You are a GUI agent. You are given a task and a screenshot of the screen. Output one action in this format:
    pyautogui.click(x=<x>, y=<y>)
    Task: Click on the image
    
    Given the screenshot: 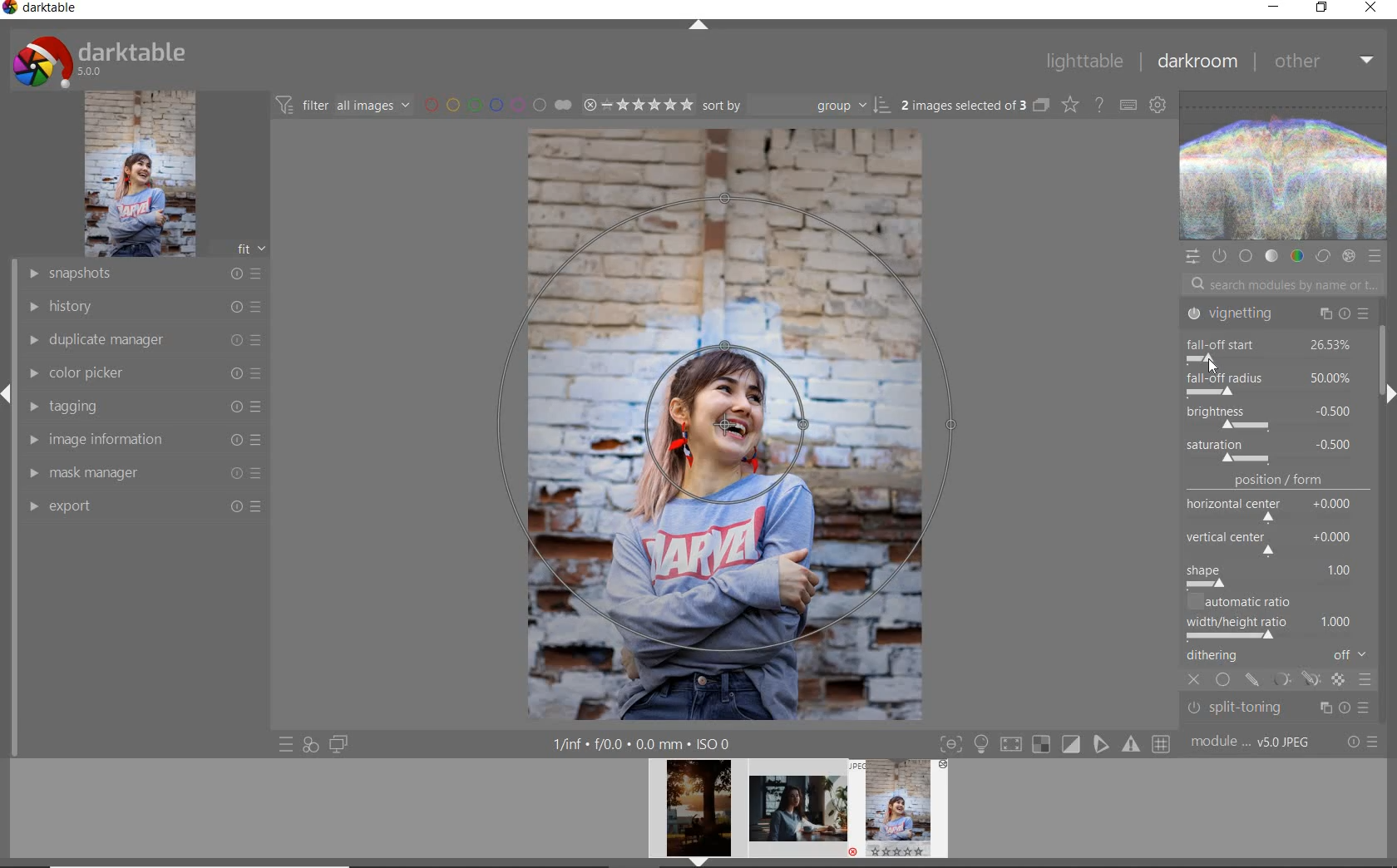 What is the action you would take?
    pyautogui.click(x=140, y=174)
    